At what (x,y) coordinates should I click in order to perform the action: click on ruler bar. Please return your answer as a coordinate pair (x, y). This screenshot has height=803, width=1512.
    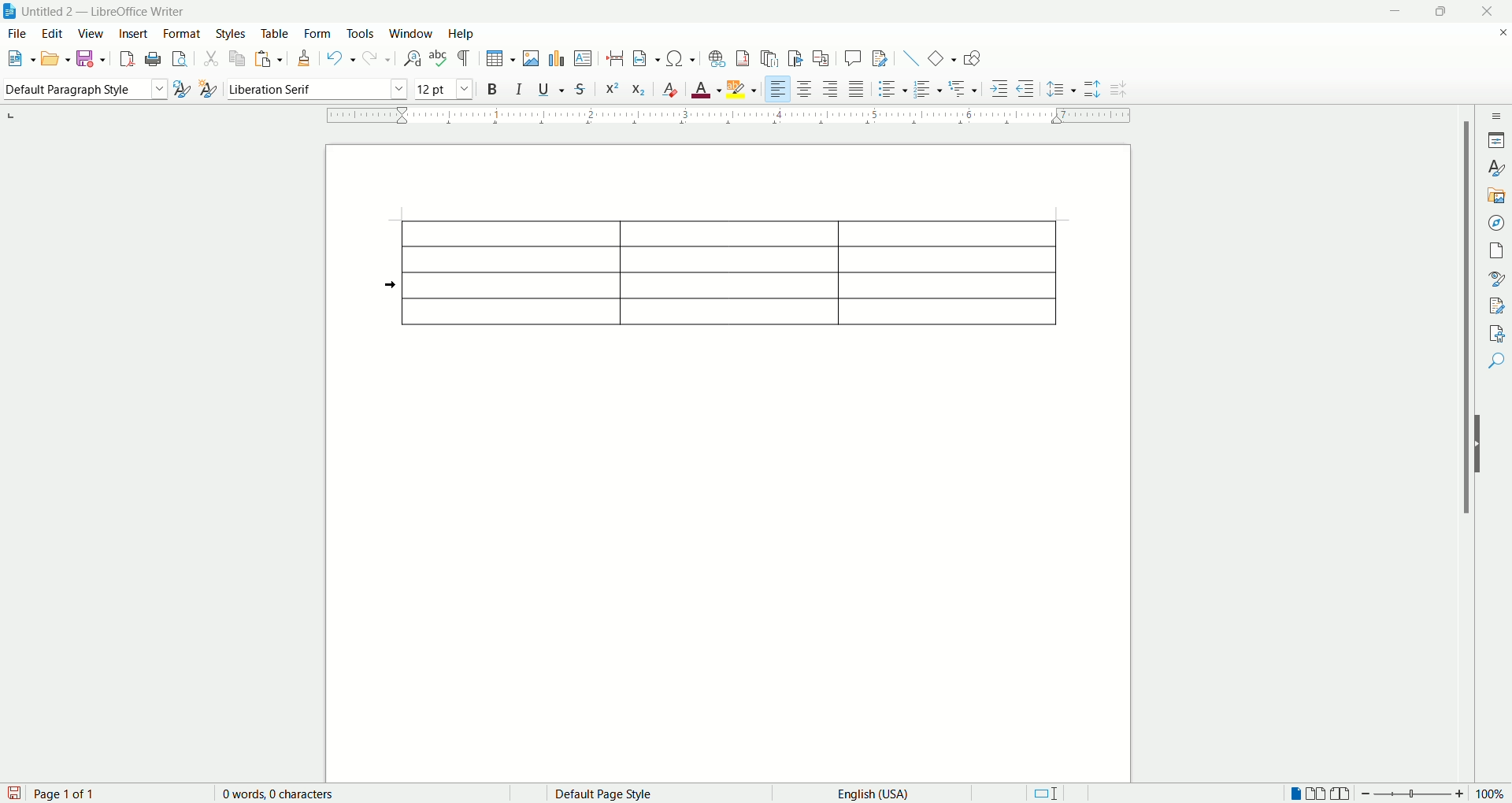
    Looking at the image, I should click on (738, 118).